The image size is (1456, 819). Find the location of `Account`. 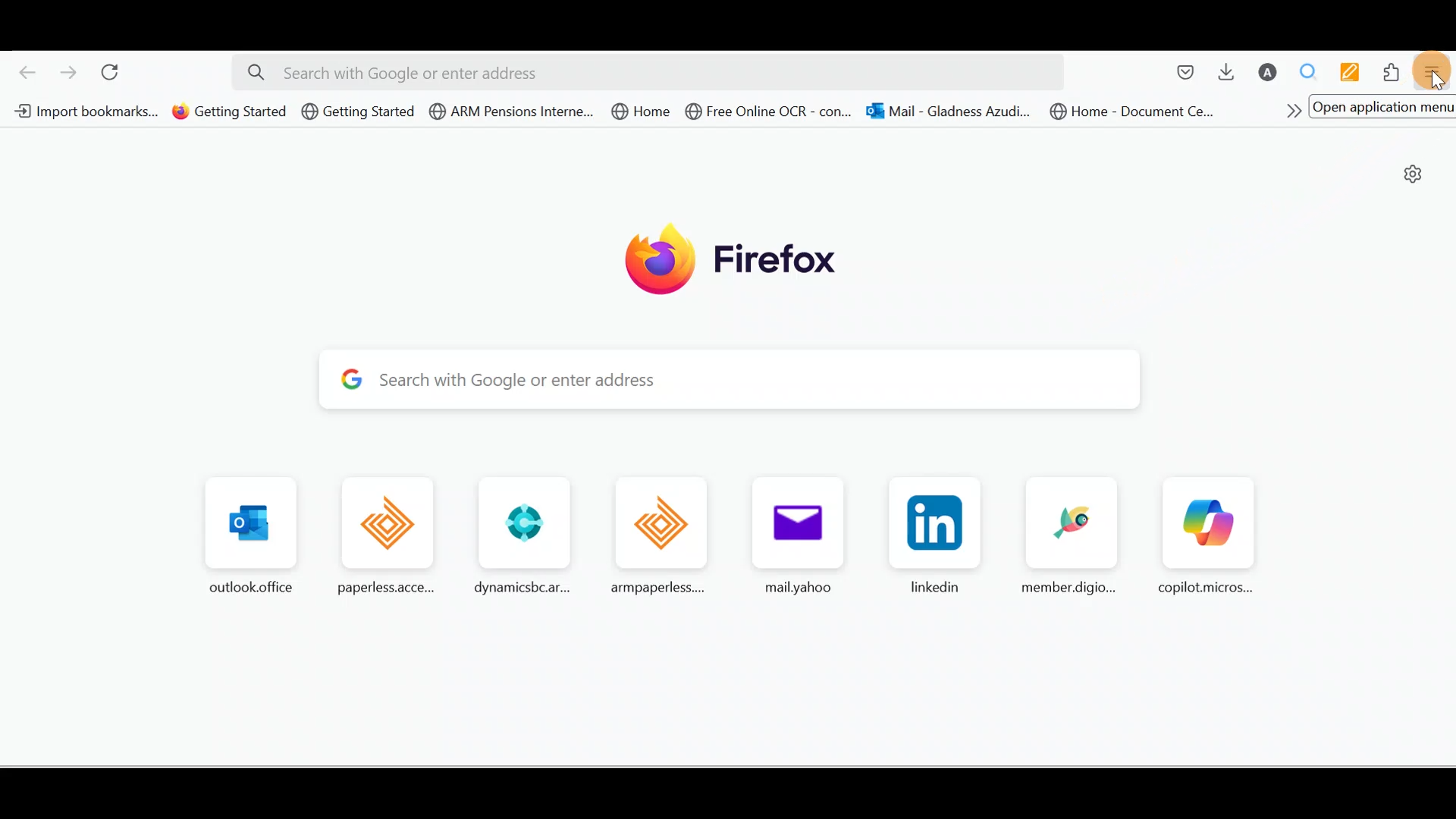

Account is located at coordinates (1269, 74).